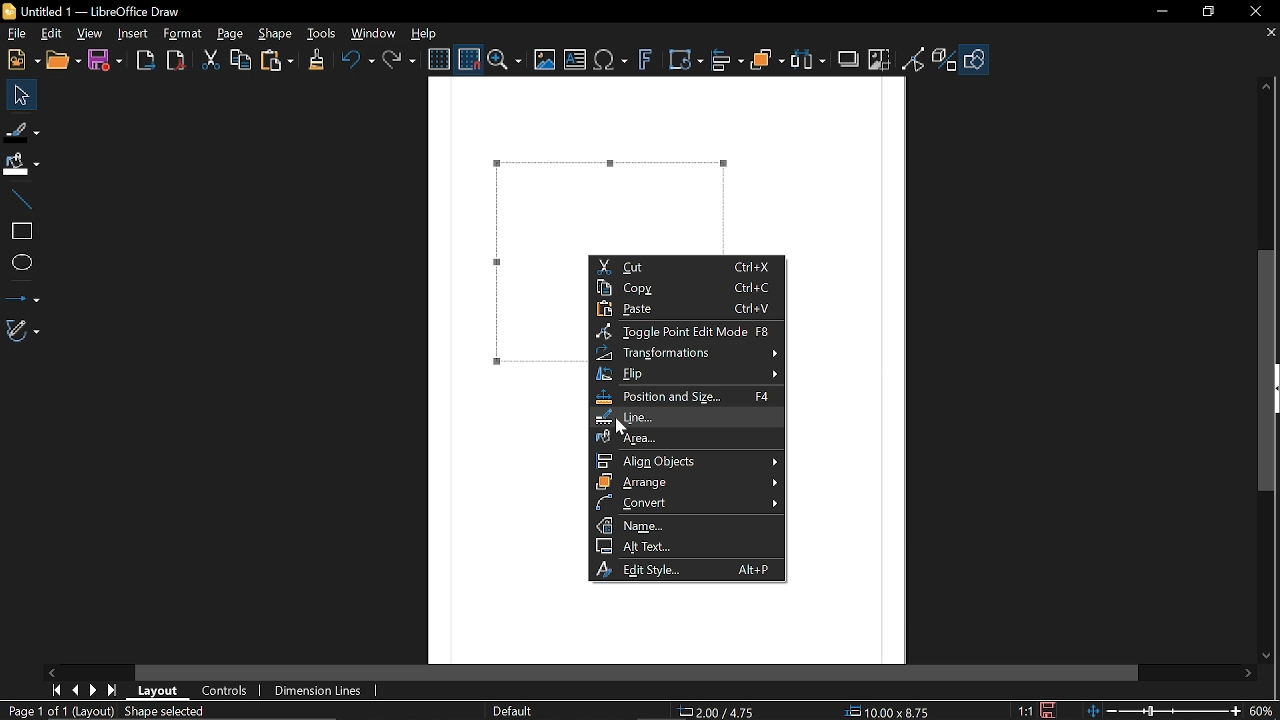 Image resolution: width=1280 pixels, height=720 pixels. I want to click on Flip, so click(686, 374).